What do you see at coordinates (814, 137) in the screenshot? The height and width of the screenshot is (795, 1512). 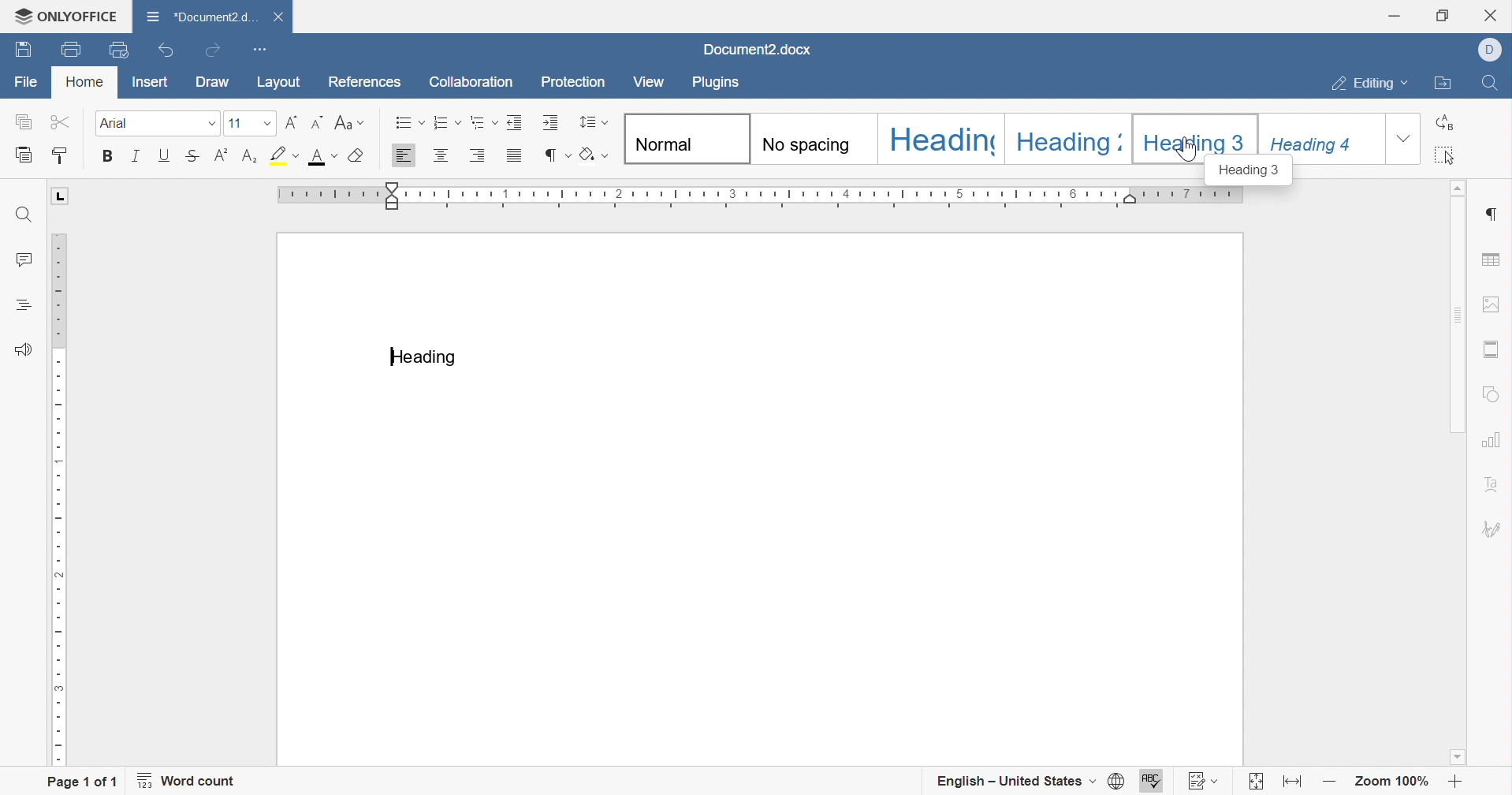 I see `No spacing` at bounding box center [814, 137].